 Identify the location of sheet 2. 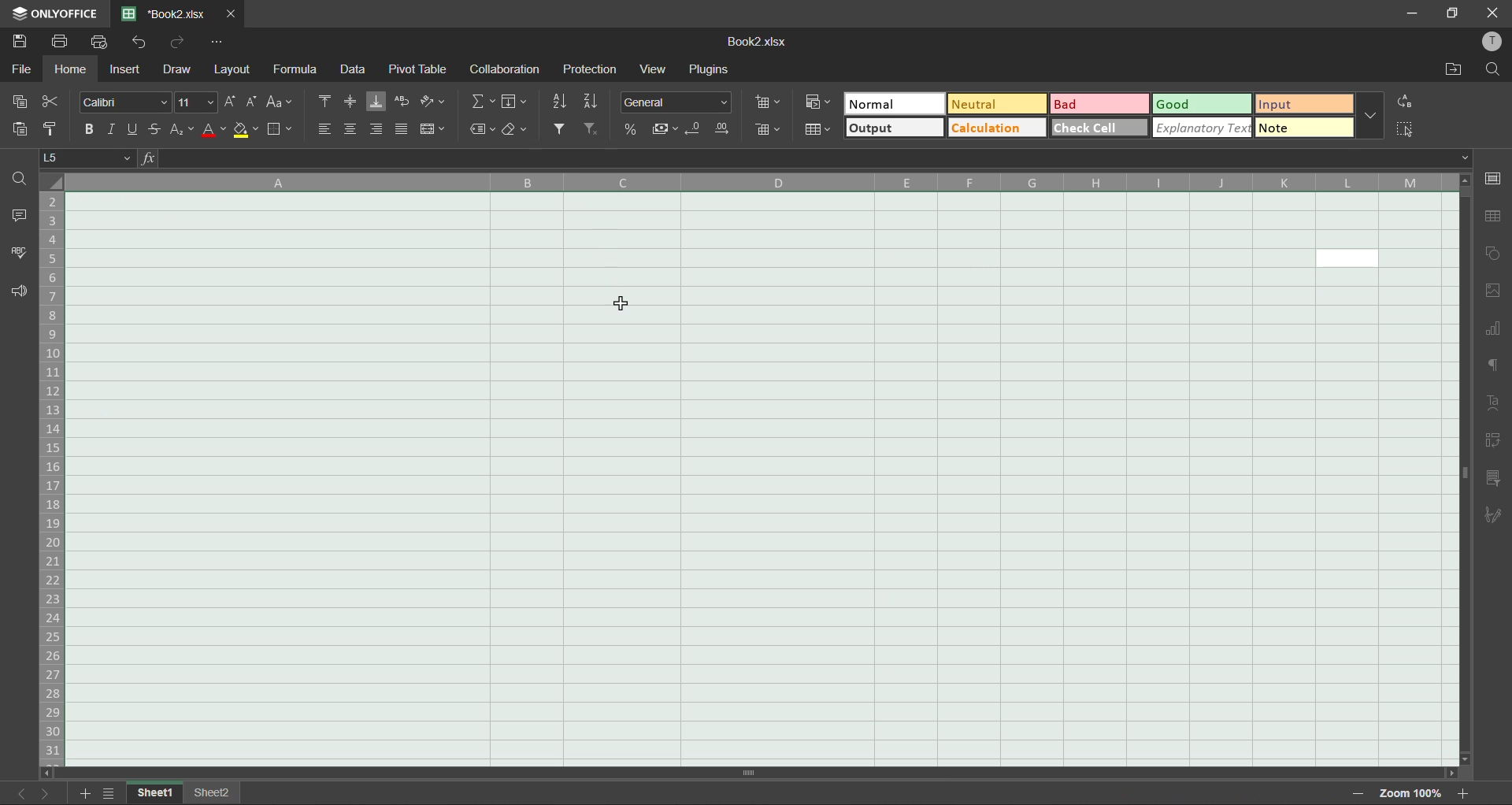
(215, 792).